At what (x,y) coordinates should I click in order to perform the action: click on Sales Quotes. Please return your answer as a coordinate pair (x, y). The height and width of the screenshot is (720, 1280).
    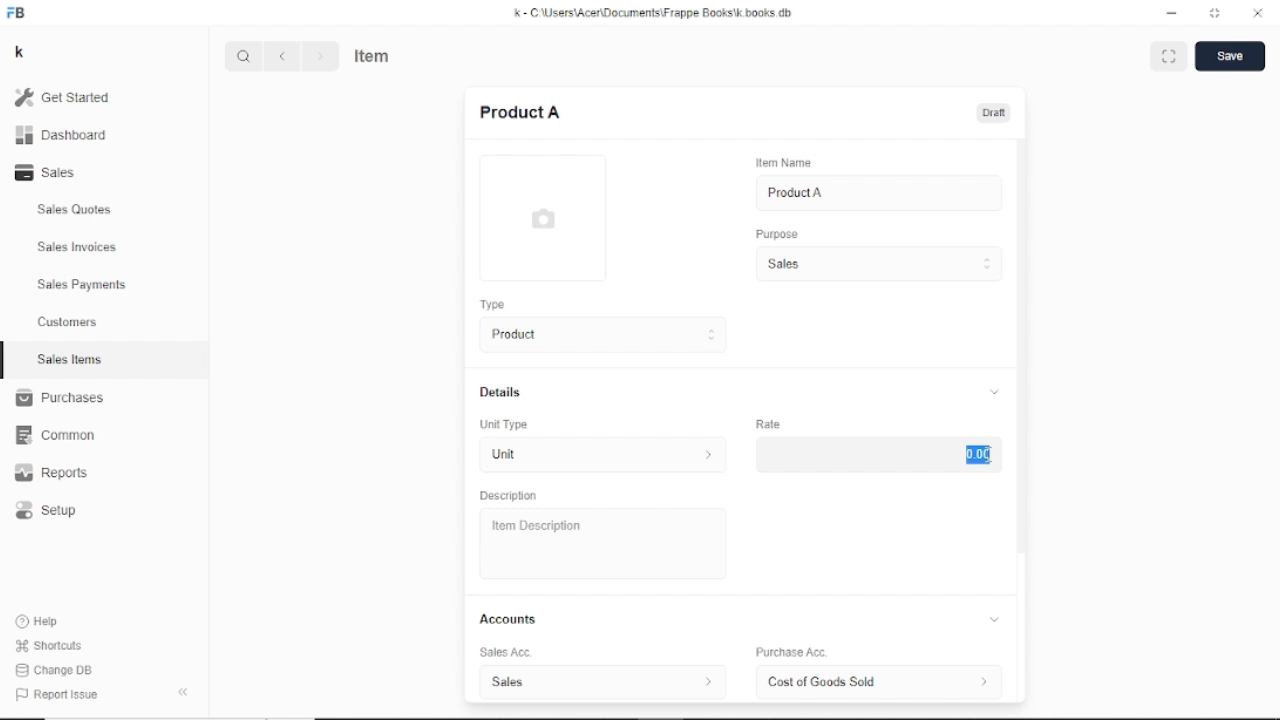
    Looking at the image, I should click on (76, 210).